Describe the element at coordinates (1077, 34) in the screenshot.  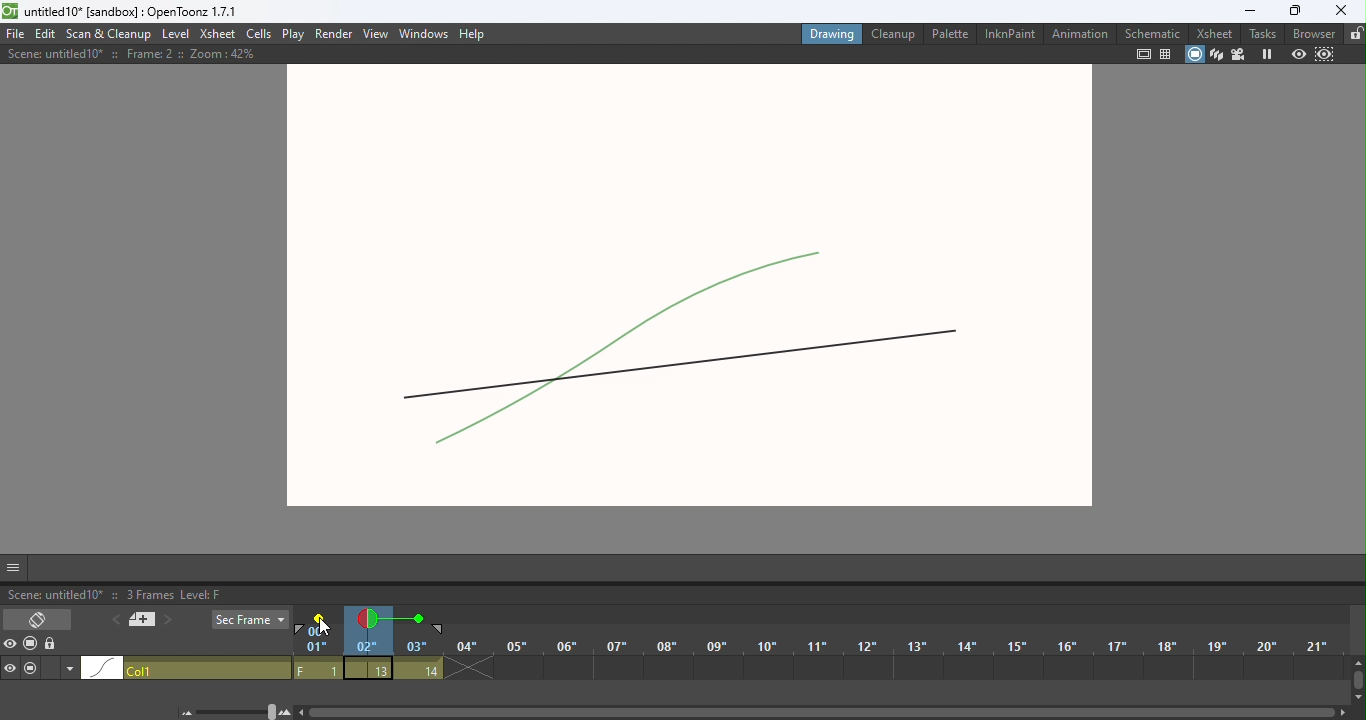
I see `Animation` at that location.